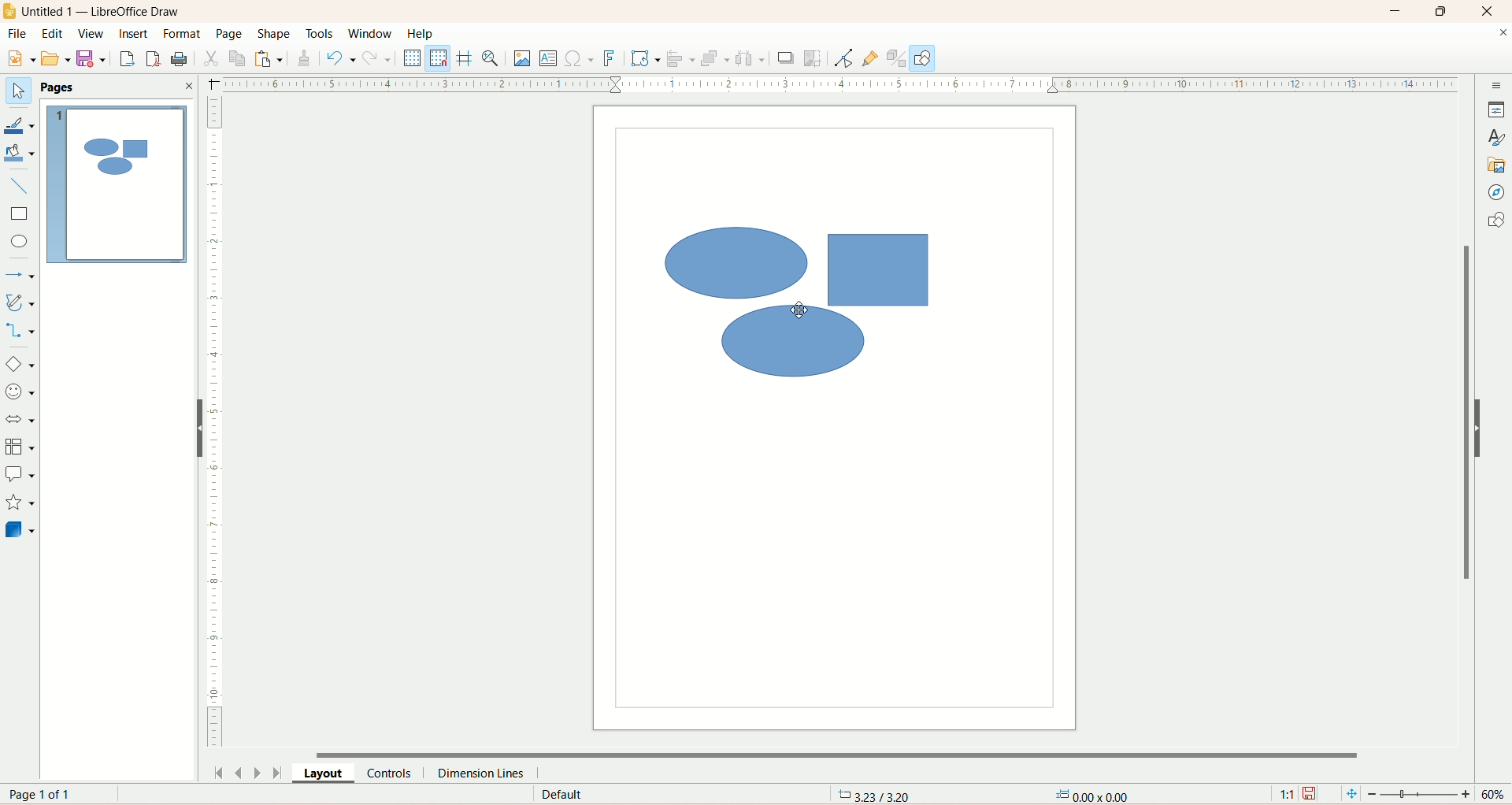 The width and height of the screenshot is (1512, 805). Describe the element at coordinates (20, 215) in the screenshot. I see `rectangle` at that location.